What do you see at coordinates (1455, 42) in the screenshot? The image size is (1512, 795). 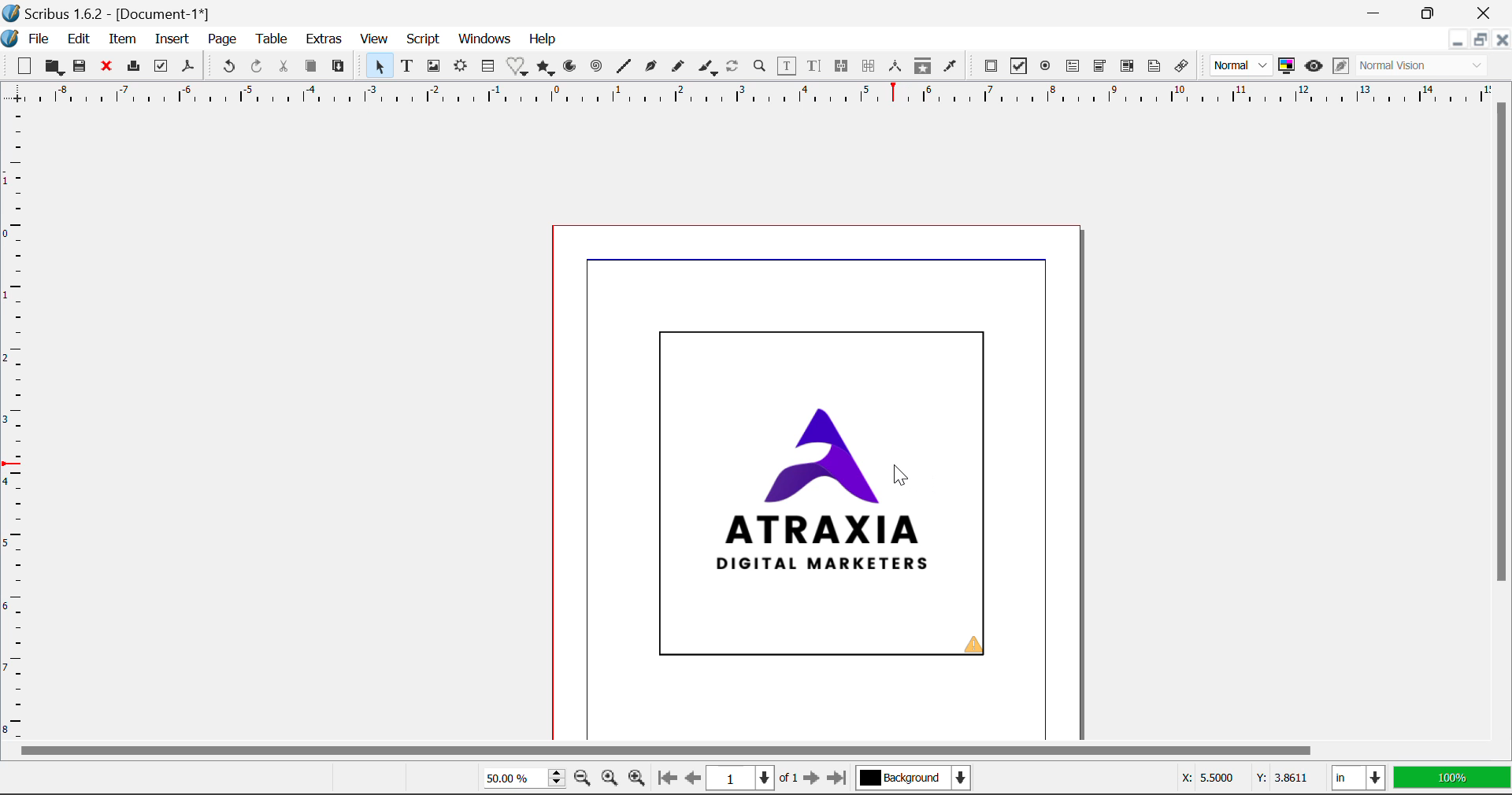 I see `Restore Down` at bounding box center [1455, 42].